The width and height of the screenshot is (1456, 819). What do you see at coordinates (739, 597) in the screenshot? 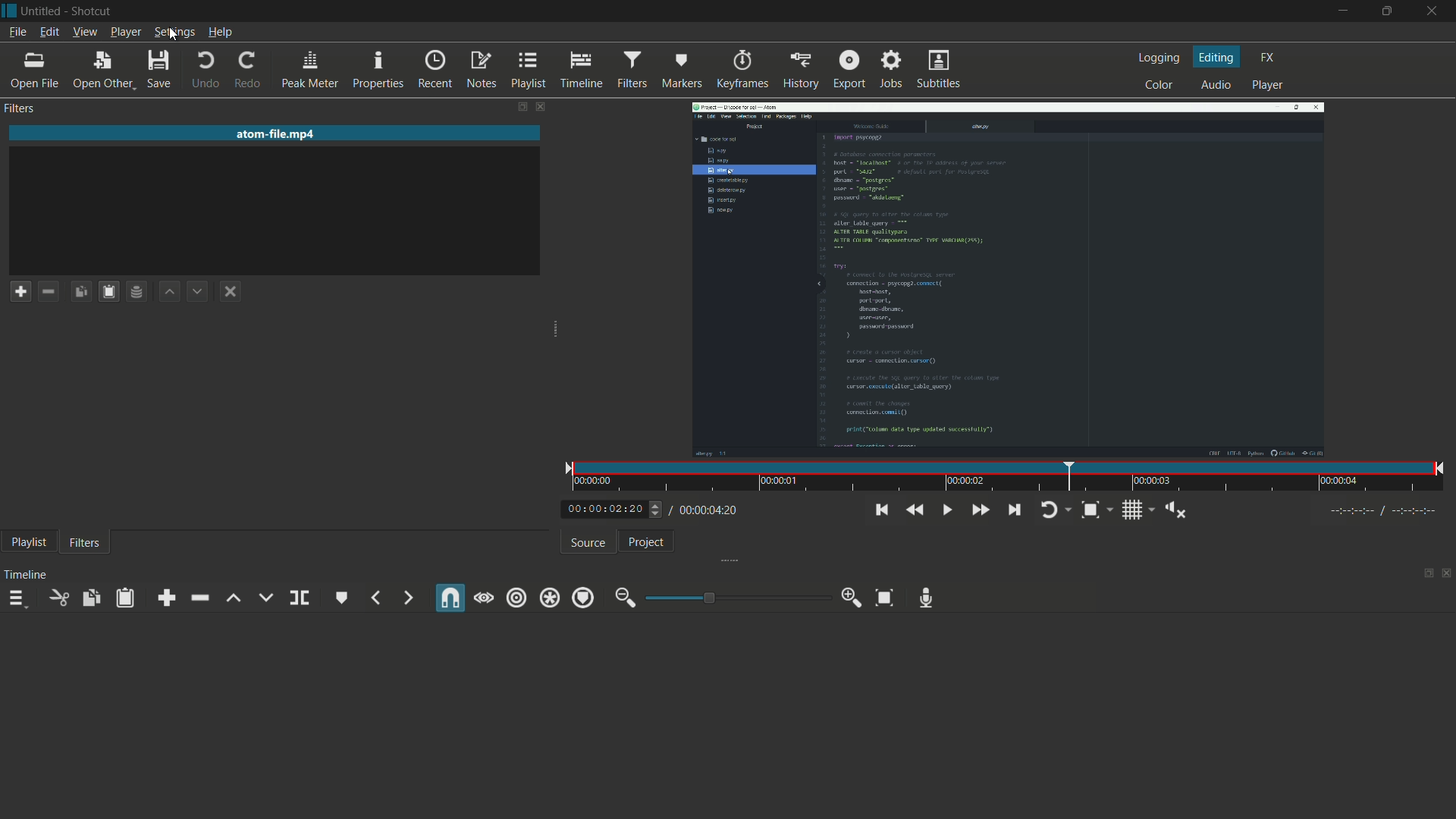
I see `adjustment bar` at bounding box center [739, 597].